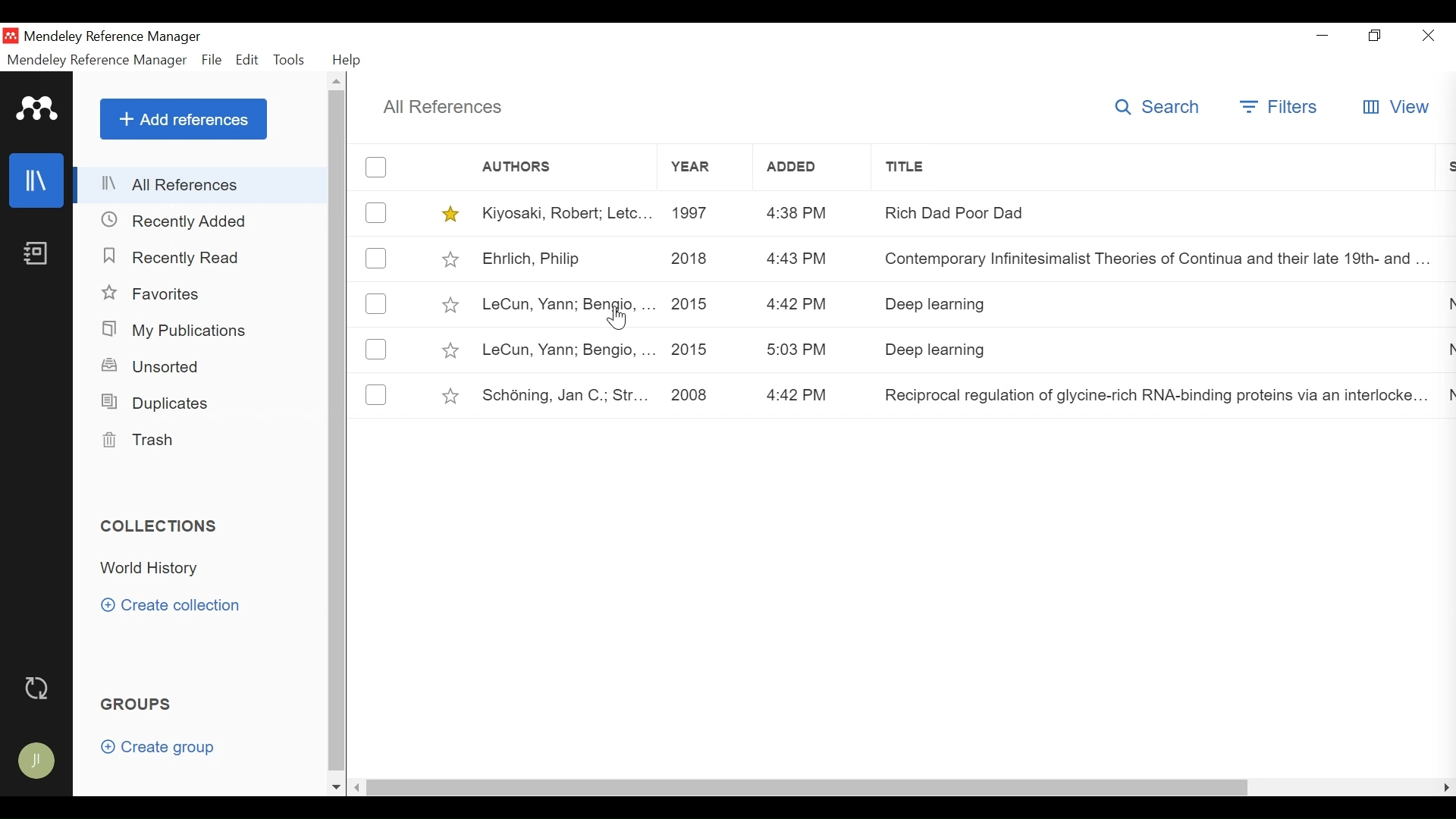  Describe the element at coordinates (1446, 787) in the screenshot. I see `Scroll Right` at that location.